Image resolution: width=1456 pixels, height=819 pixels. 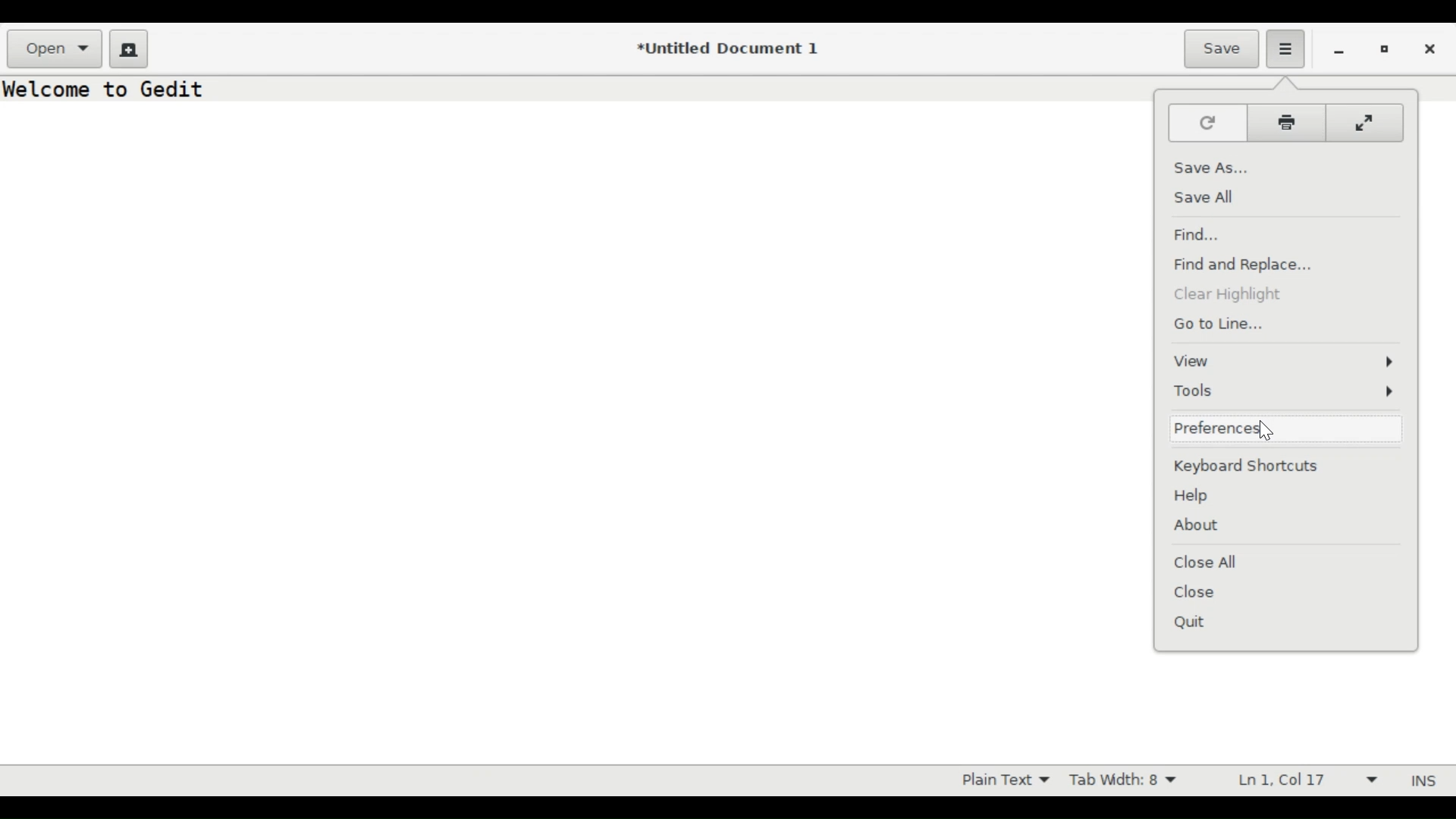 What do you see at coordinates (108, 89) in the screenshot?
I see `Welcome to Gedit` at bounding box center [108, 89].